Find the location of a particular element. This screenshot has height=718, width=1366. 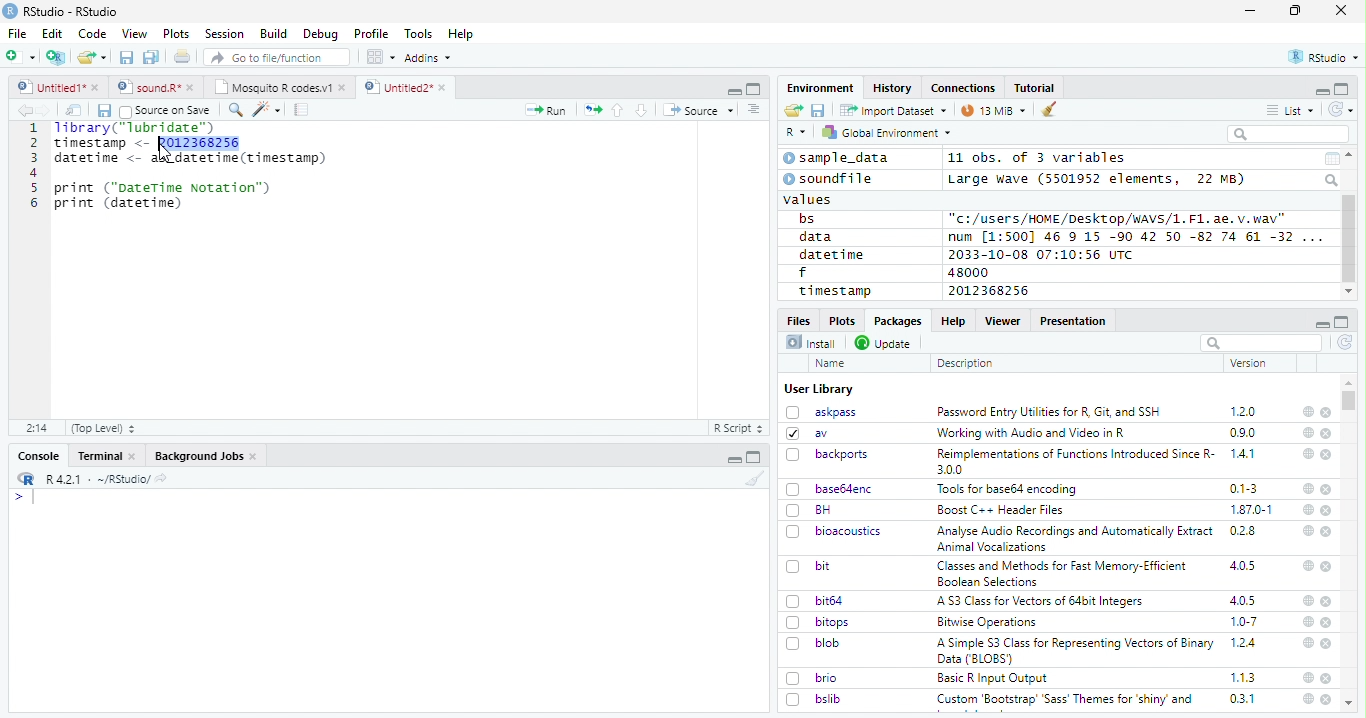

Untitled2* is located at coordinates (409, 88).